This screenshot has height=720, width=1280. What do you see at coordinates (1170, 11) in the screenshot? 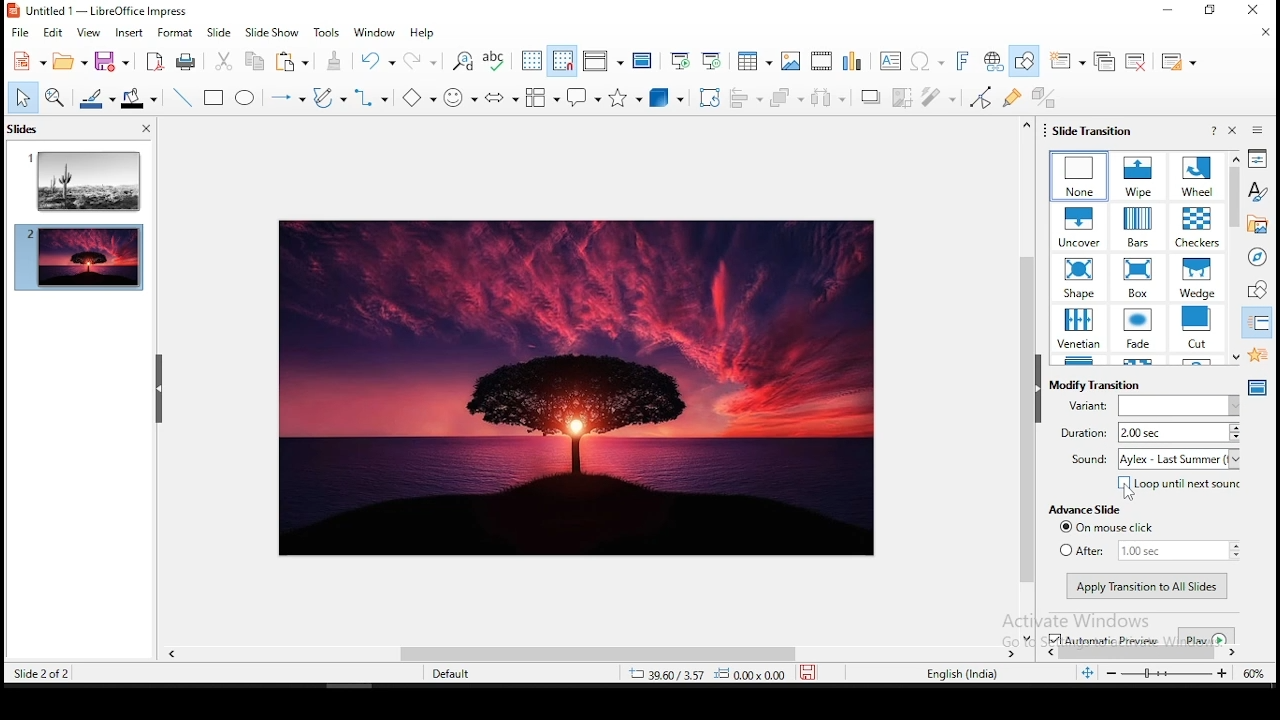
I see `minimize` at bounding box center [1170, 11].